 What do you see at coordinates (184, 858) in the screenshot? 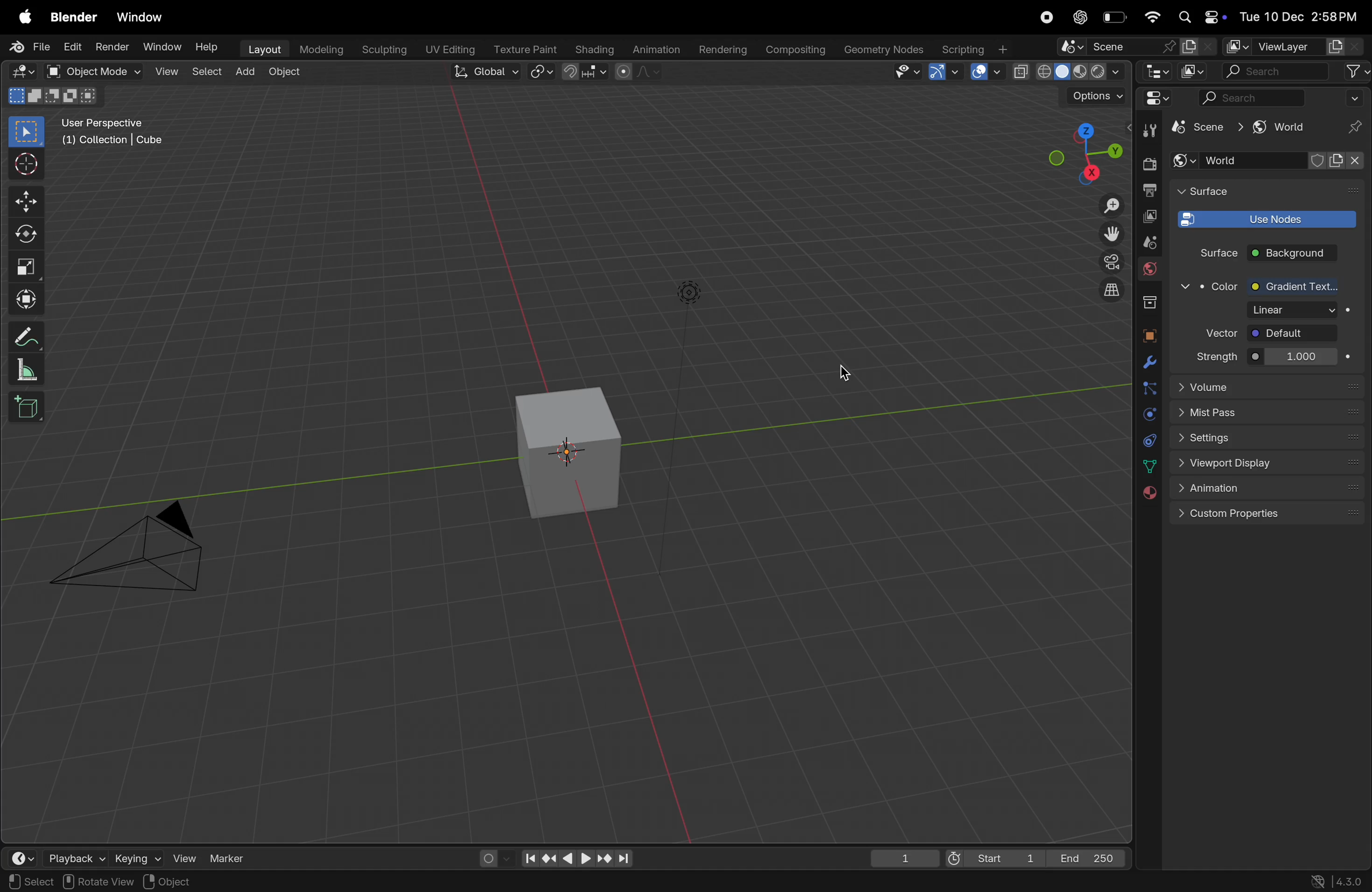
I see `view` at bounding box center [184, 858].